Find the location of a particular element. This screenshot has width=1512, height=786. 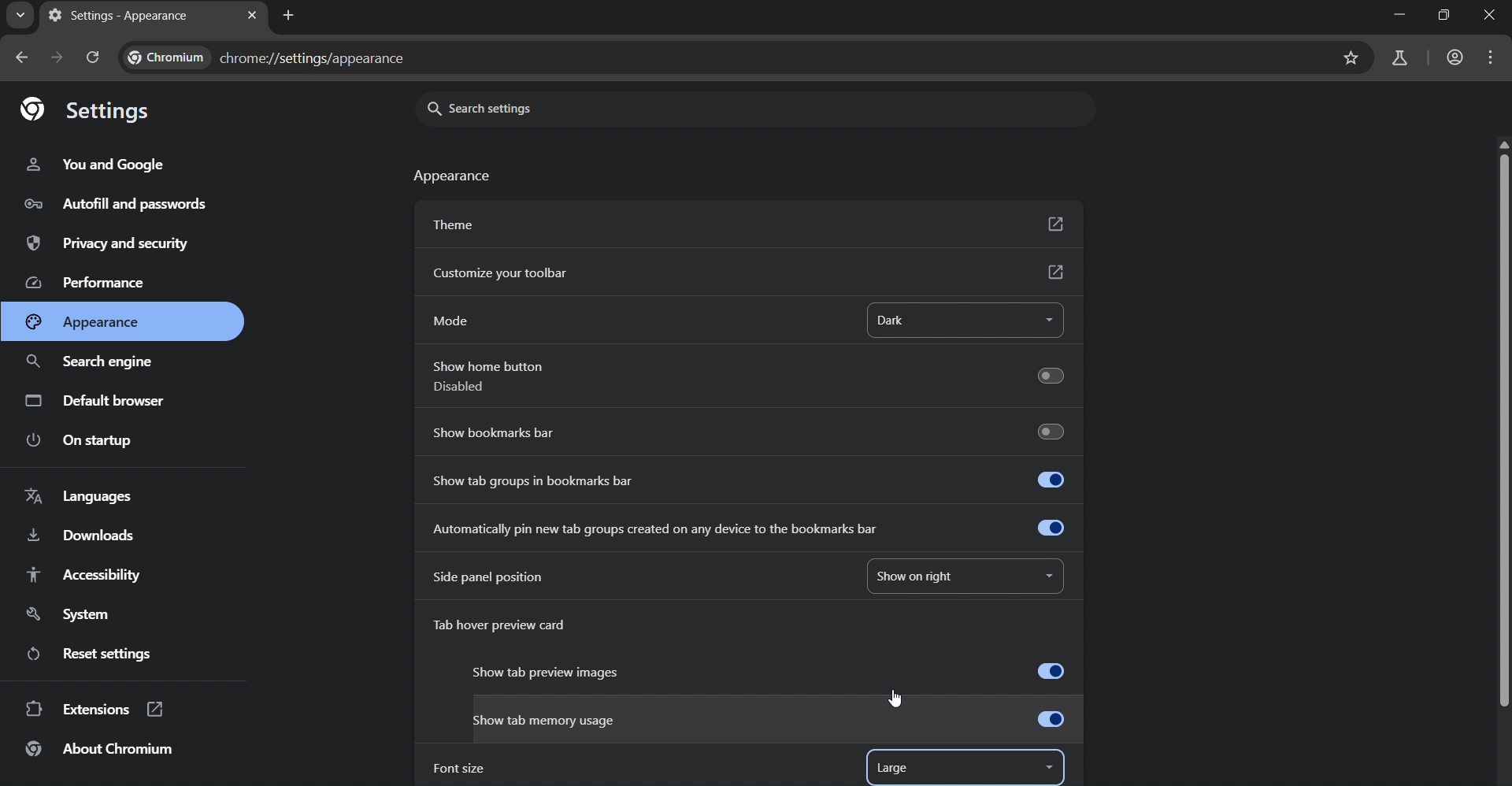

show tab groups in bookmarks bar is located at coordinates (747, 477).